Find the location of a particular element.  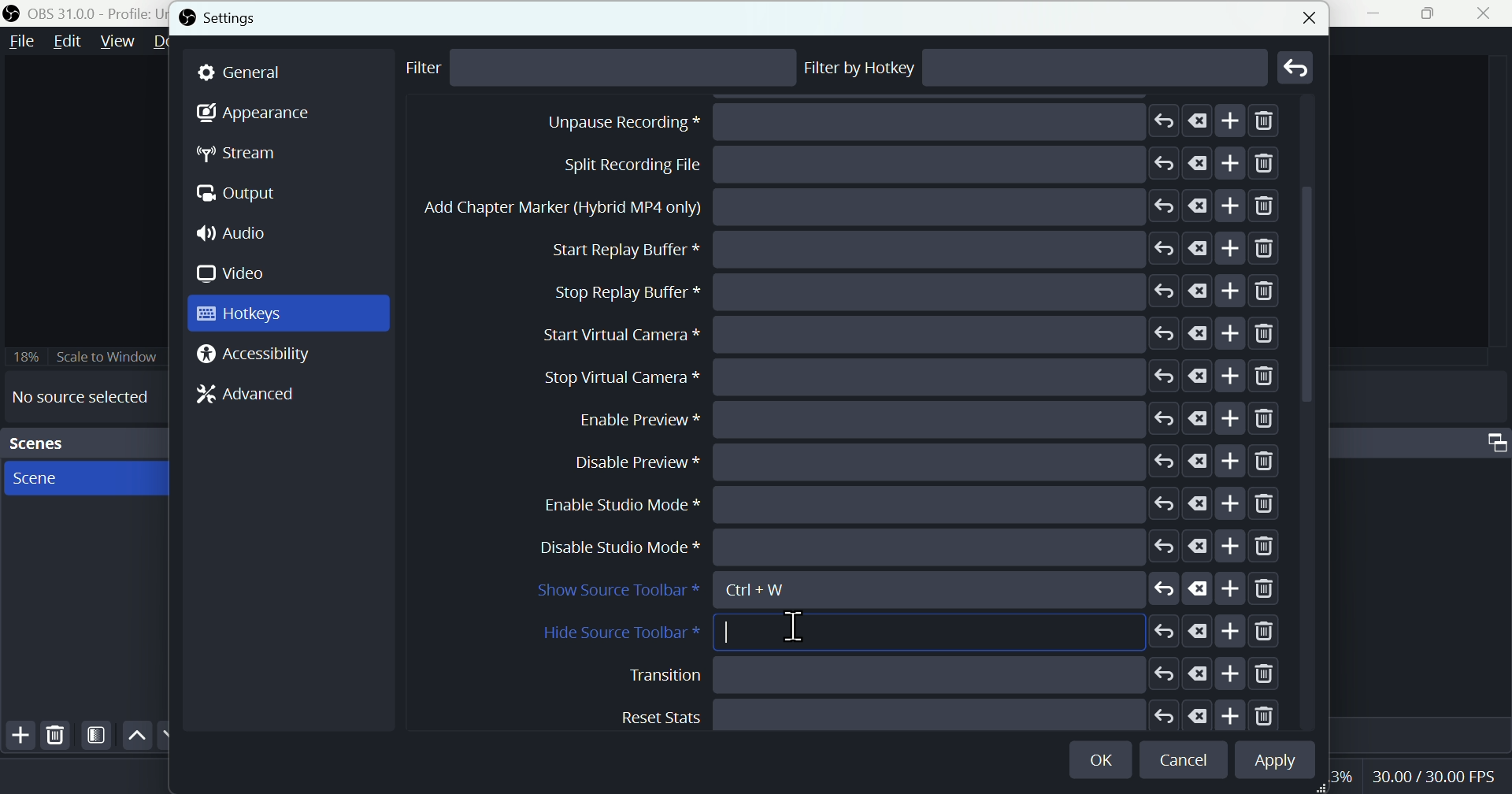

Video is located at coordinates (237, 273).